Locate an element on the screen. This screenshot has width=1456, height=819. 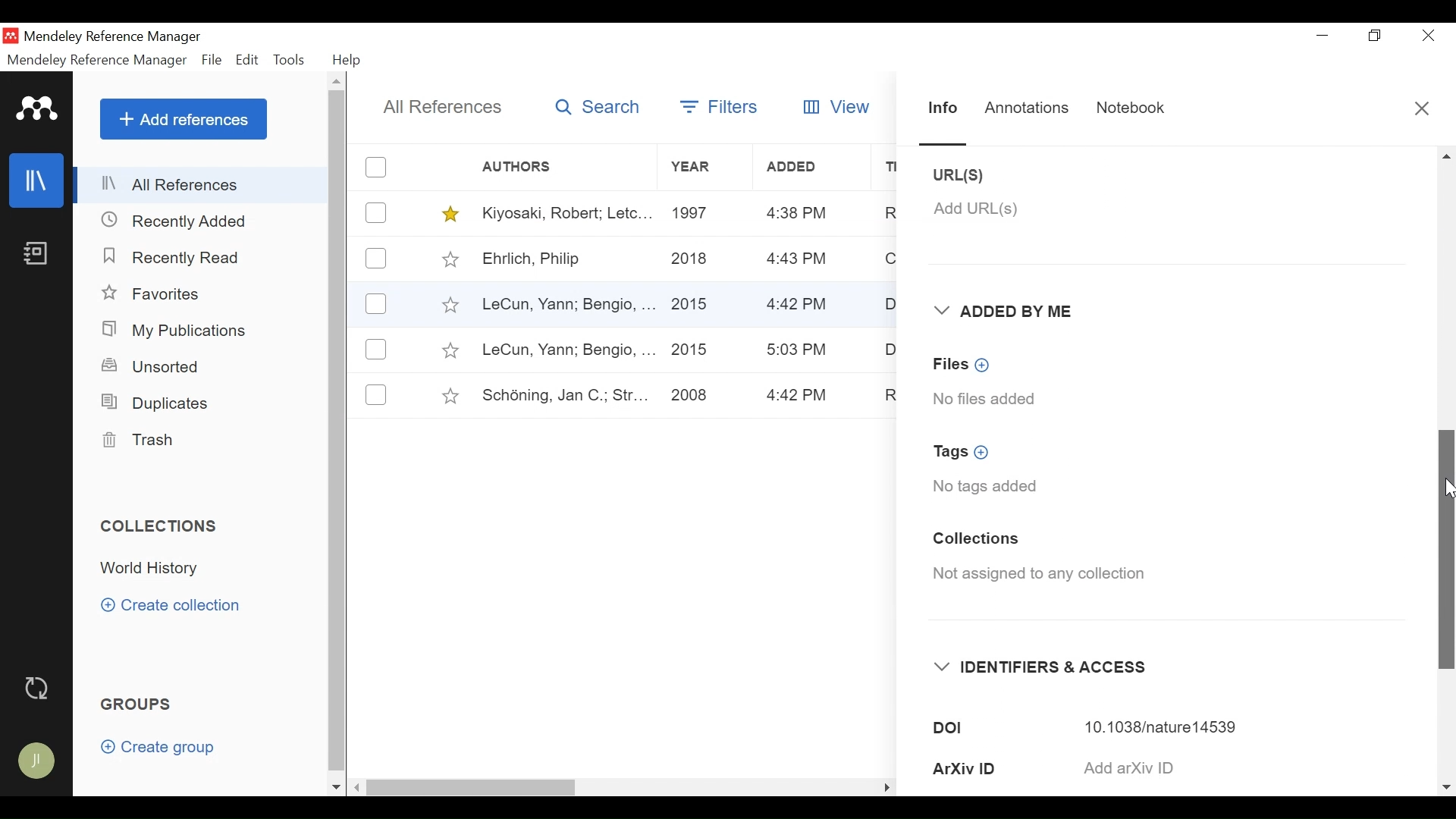
DOI is located at coordinates (994, 728).